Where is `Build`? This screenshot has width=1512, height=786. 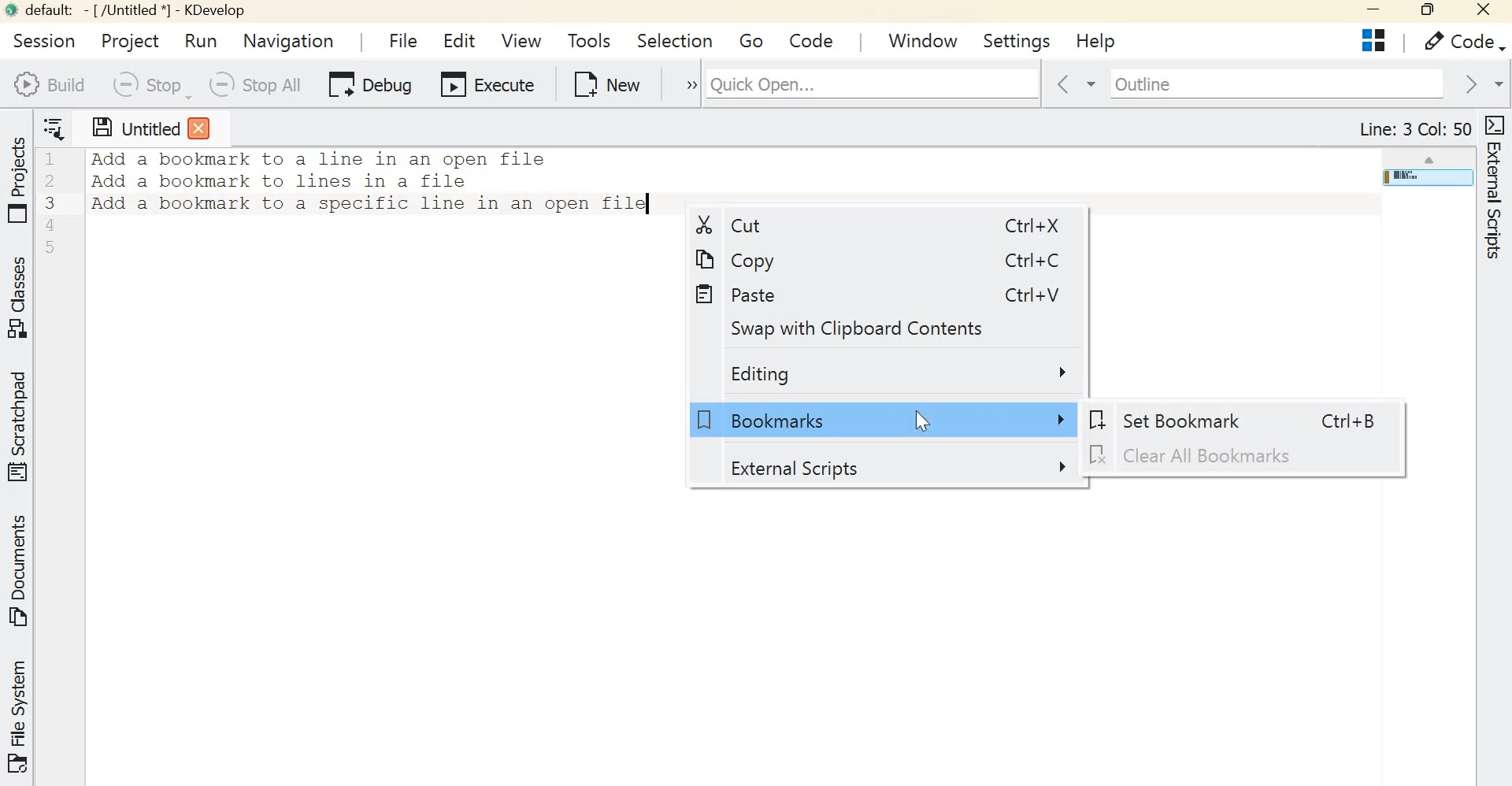
Build is located at coordinates (48, 84).